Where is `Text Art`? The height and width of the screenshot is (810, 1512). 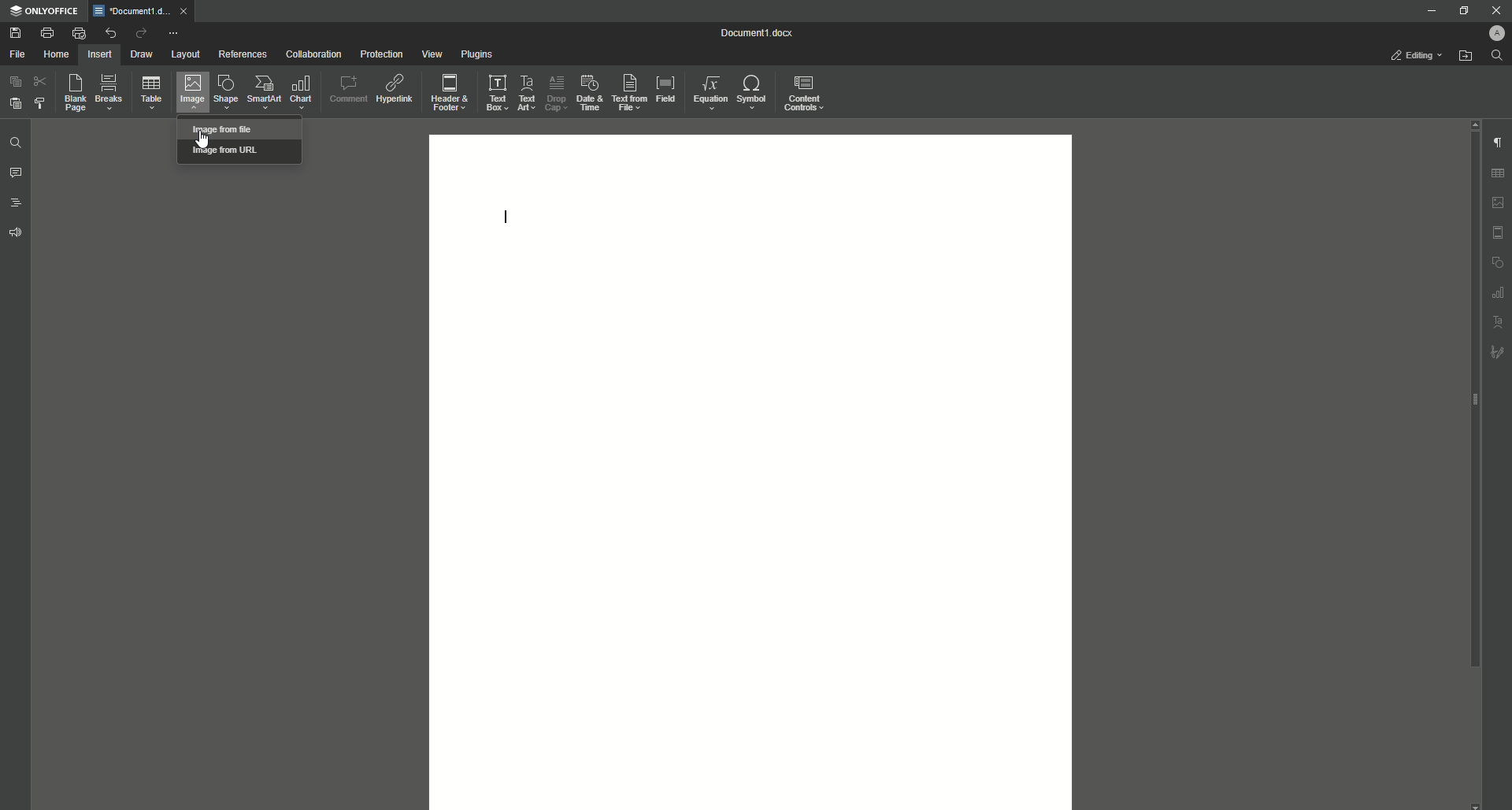
Text Art is located at coordinates (528, 95).